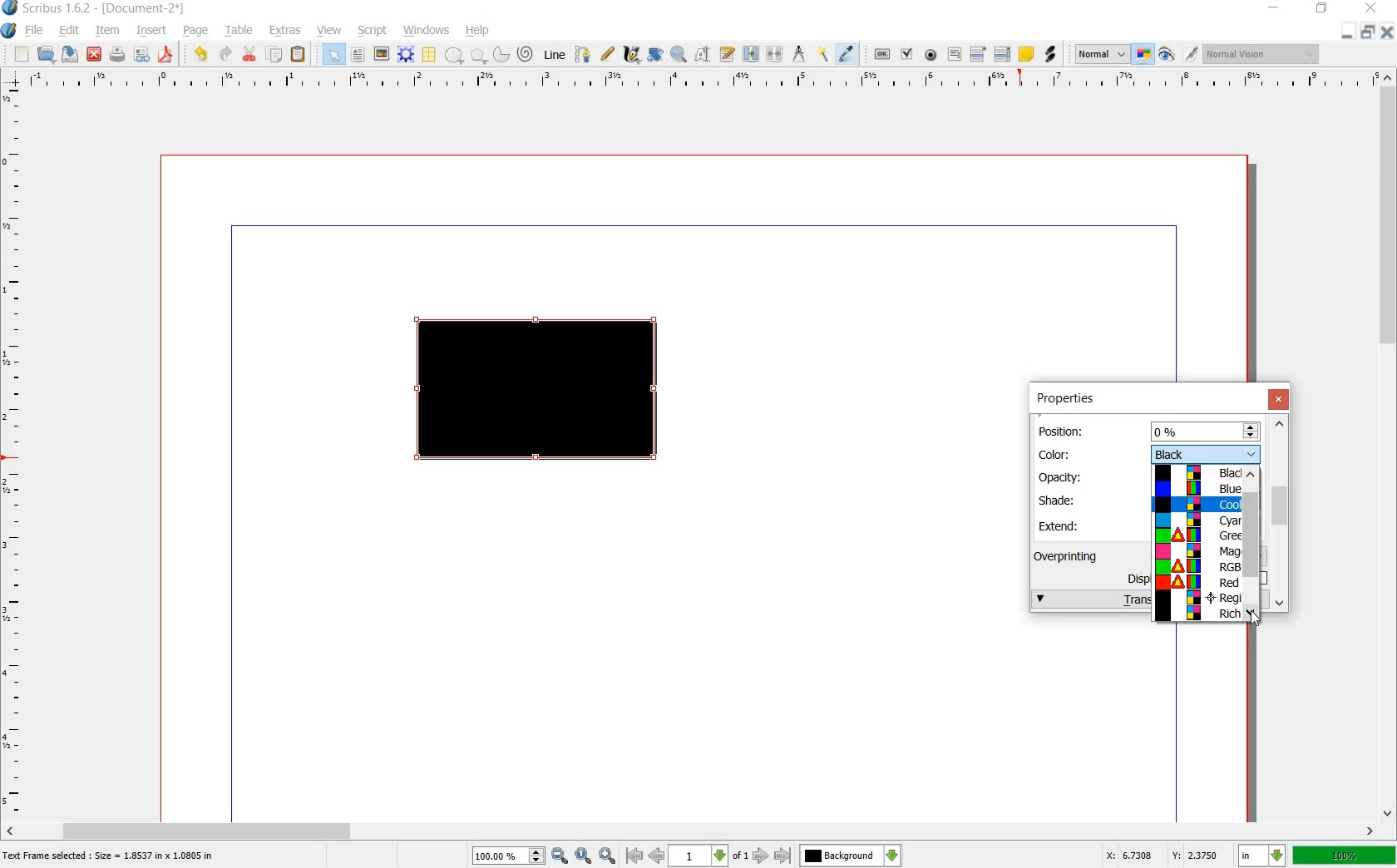 The image size is (1397, 868). Describe the element at coordinates (906, 54) in the screenshot. I see `pdf check box` at that location.